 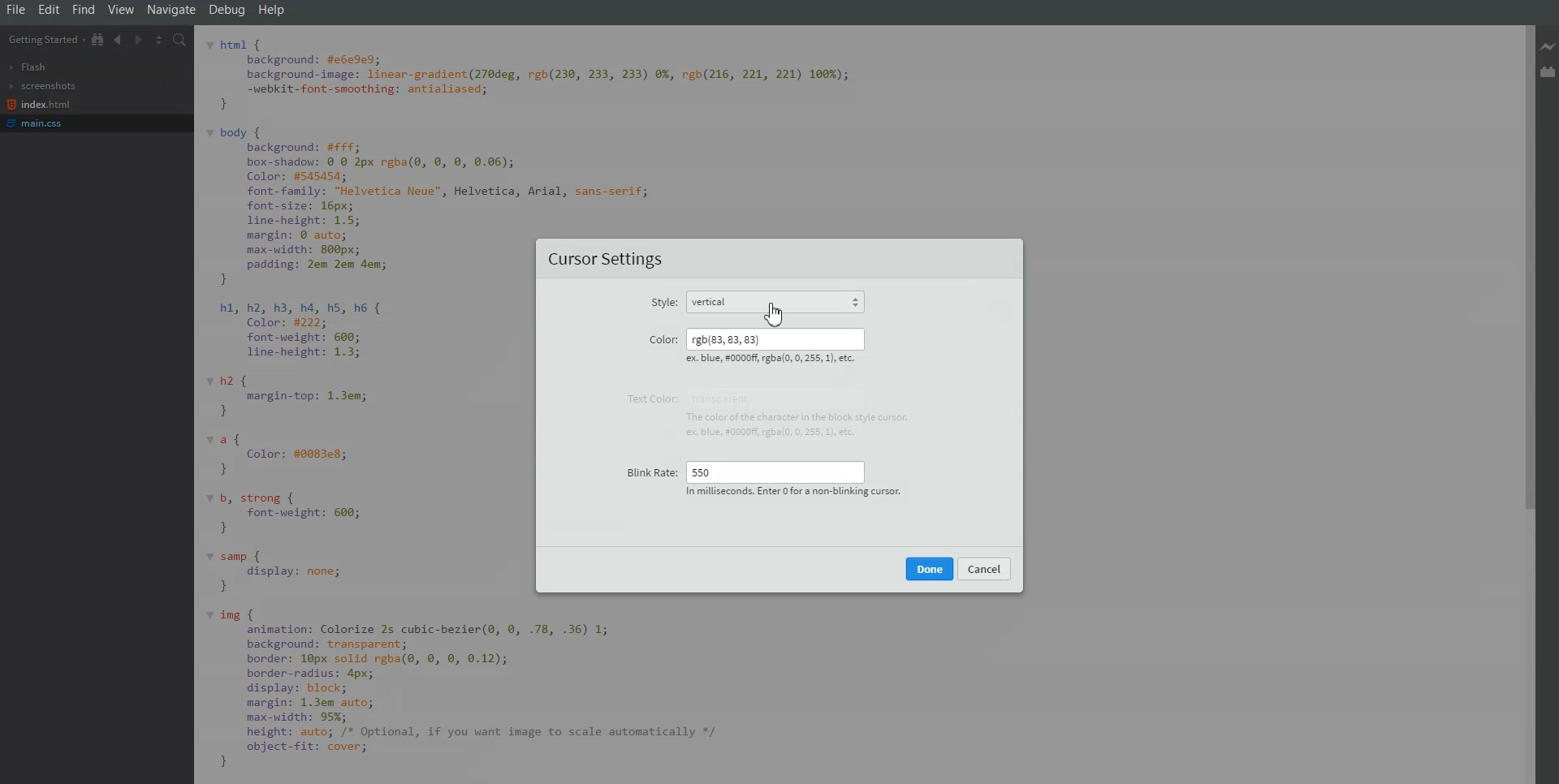 I want to click on Find, so click(x=84, y=10).